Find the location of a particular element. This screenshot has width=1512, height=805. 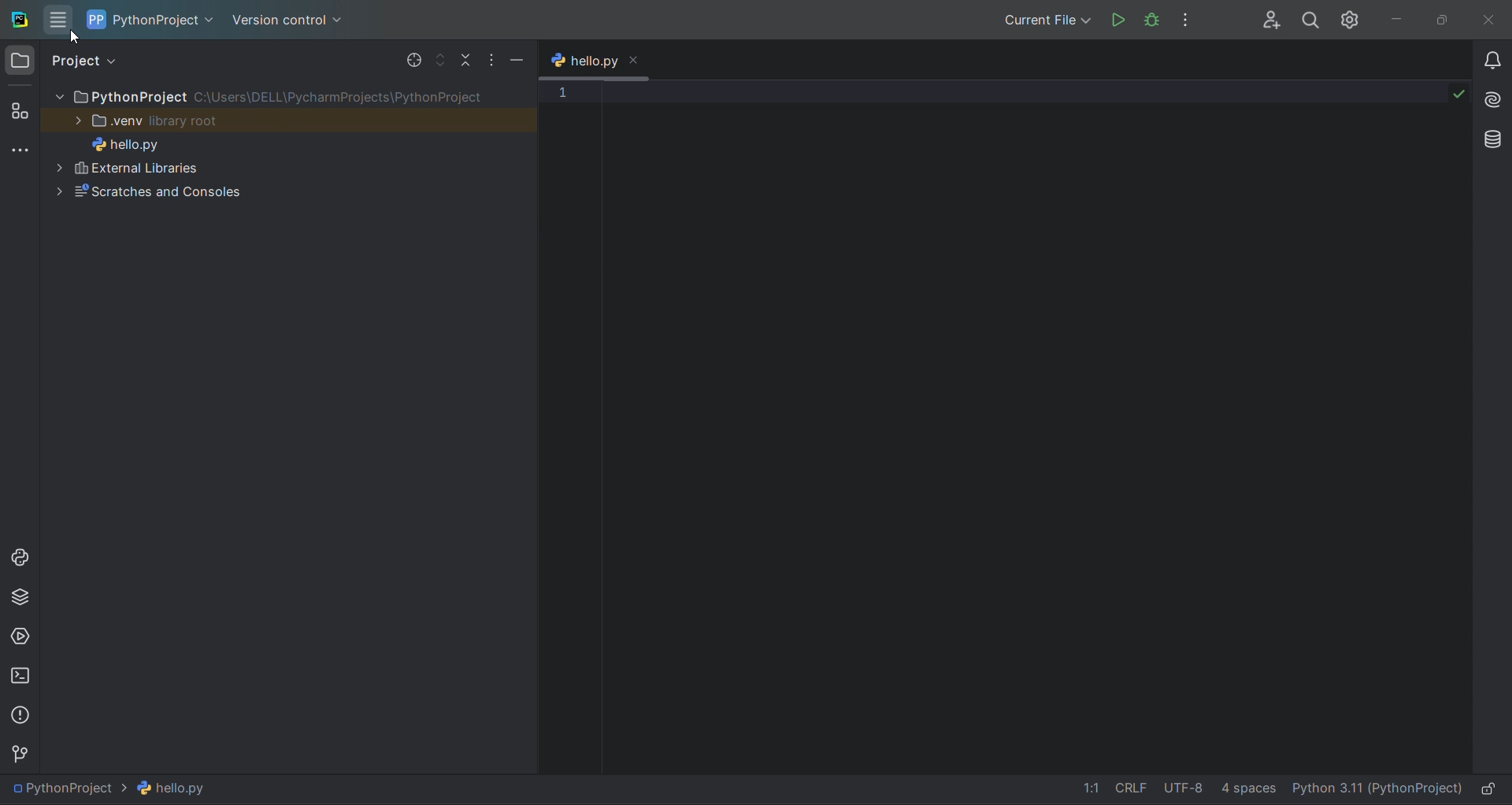

ai assistant is located at coordinates (1492, 98).